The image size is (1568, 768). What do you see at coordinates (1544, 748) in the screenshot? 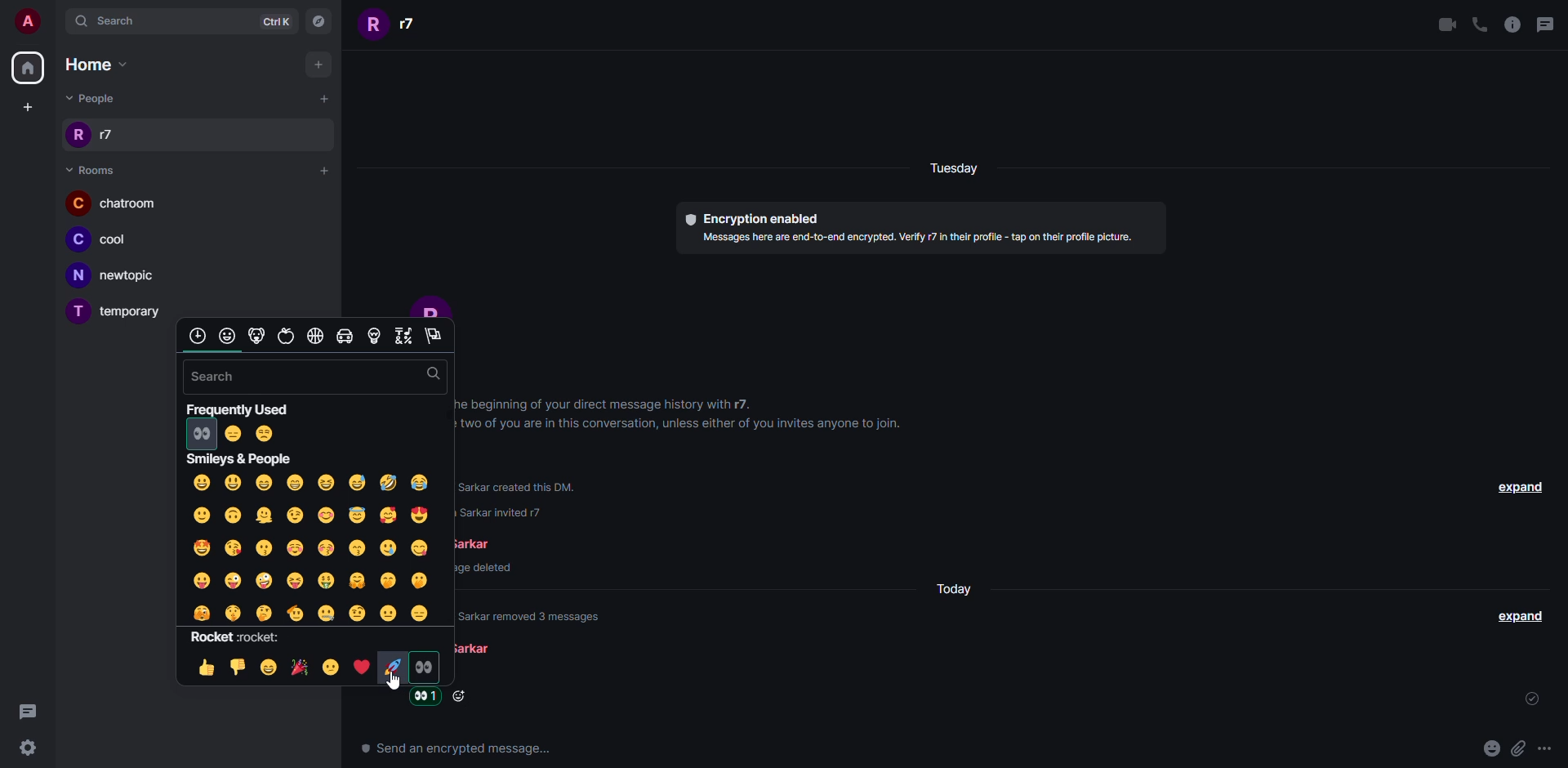
I see `more` at bounding box center [1544, 748].